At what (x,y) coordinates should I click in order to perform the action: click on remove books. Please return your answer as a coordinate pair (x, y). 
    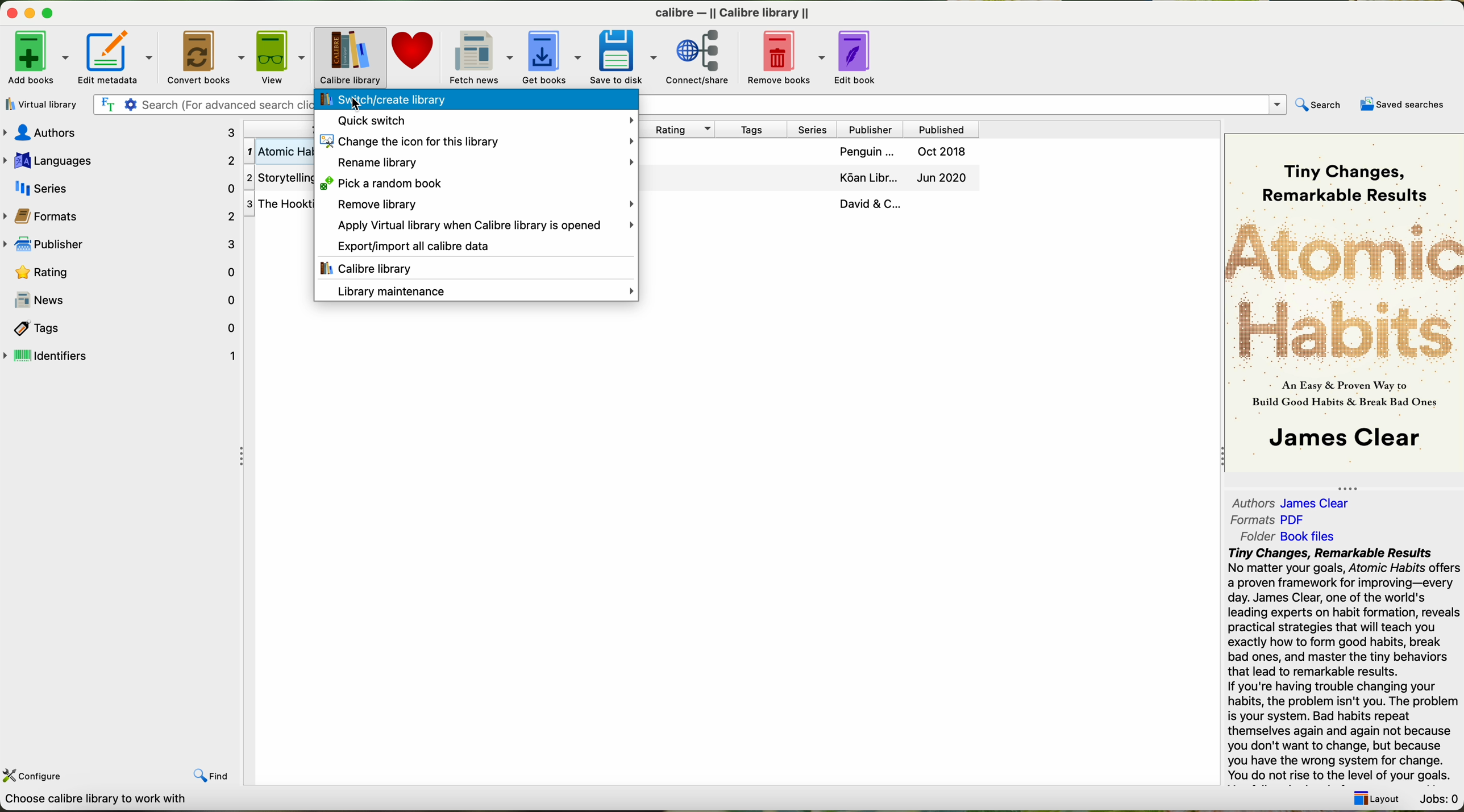
    Looking at the image, I should click on (789, 56).